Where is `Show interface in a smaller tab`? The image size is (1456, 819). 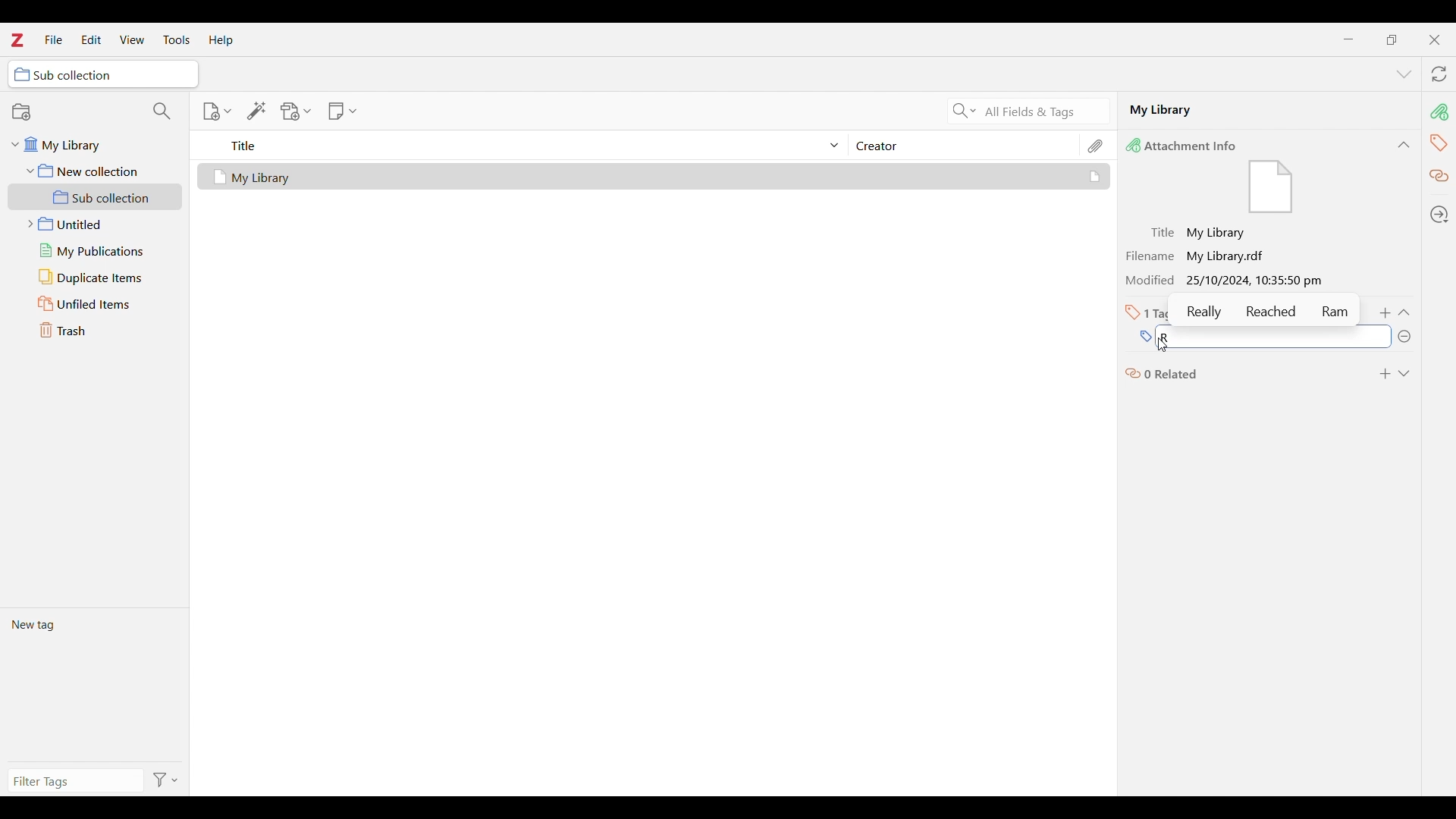
Show interface in a smaller tab is located at coordinates (1392, 39).